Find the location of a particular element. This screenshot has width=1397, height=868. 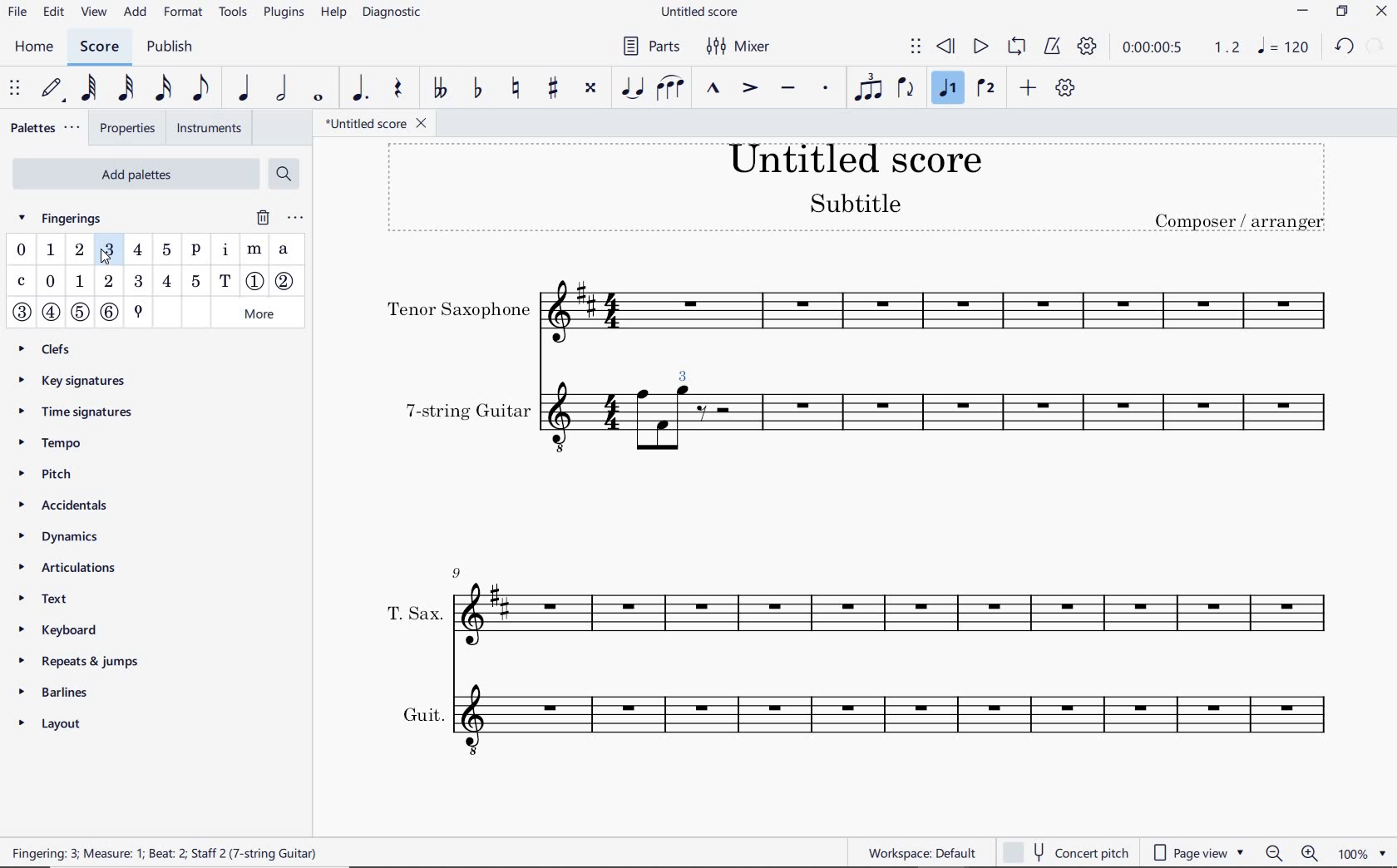

fingerings 0 is located at coordinates (21, 250).